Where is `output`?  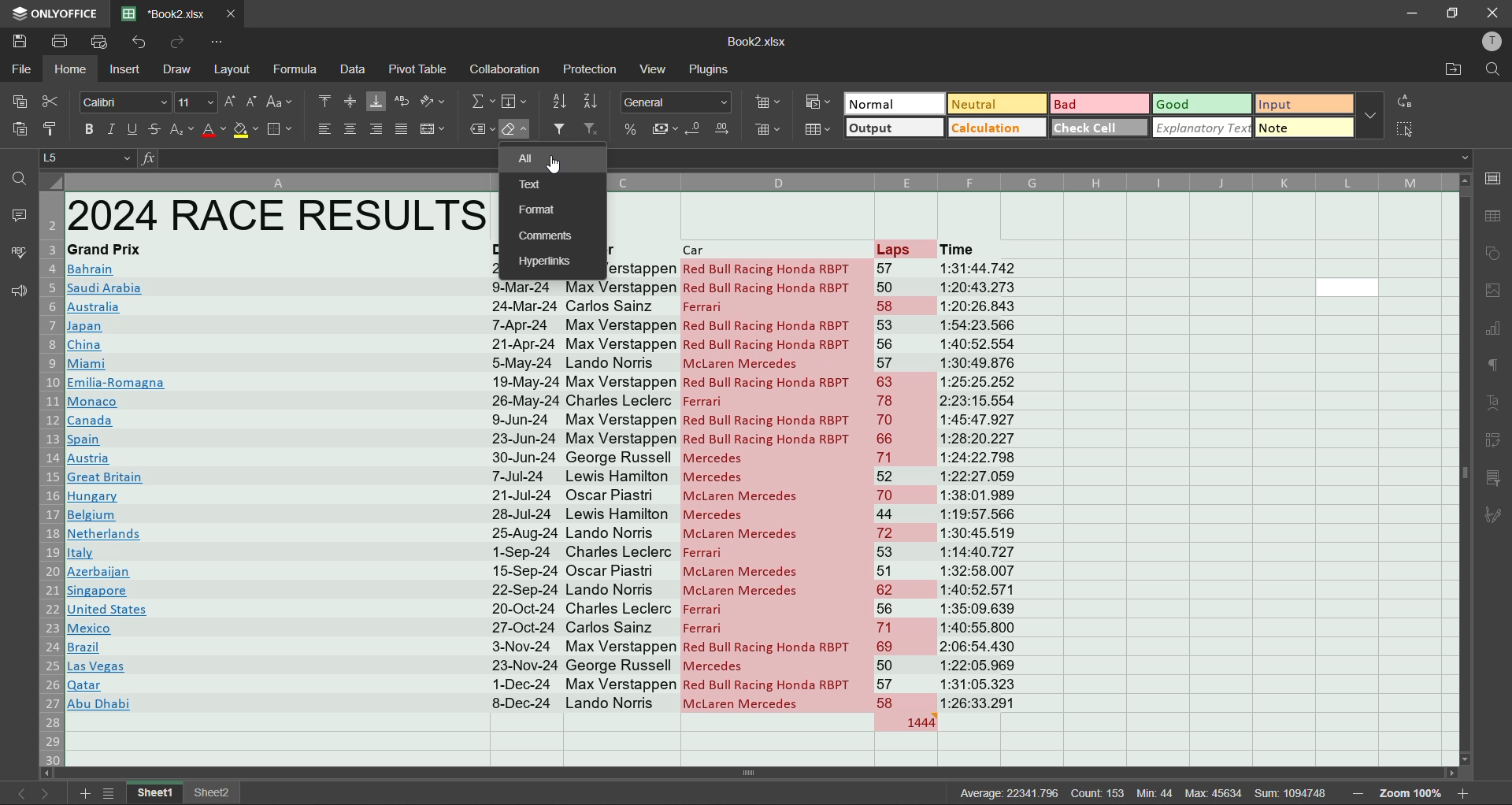
output is located at coordinates (896, 128).